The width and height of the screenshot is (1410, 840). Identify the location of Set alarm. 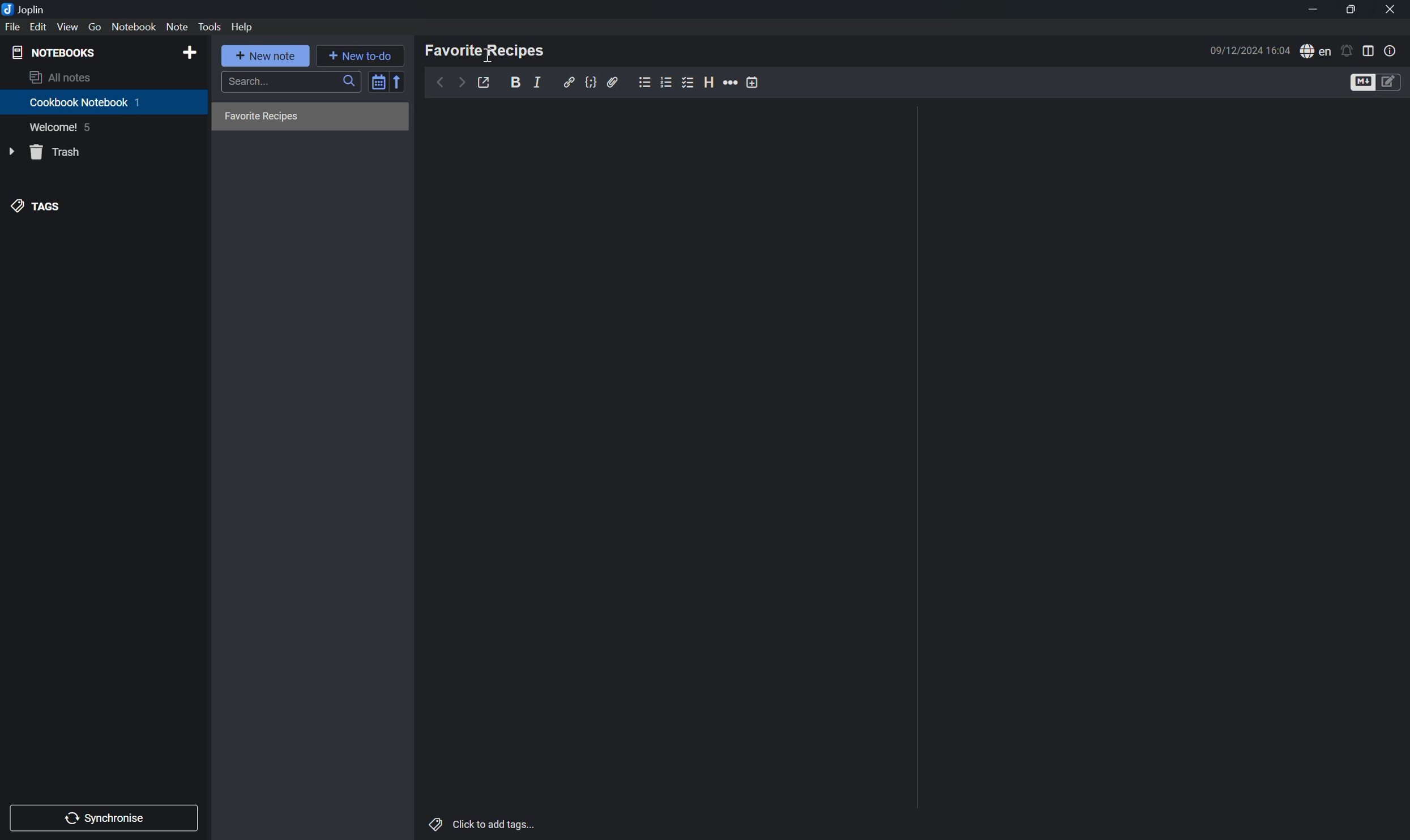
(1349, 50).